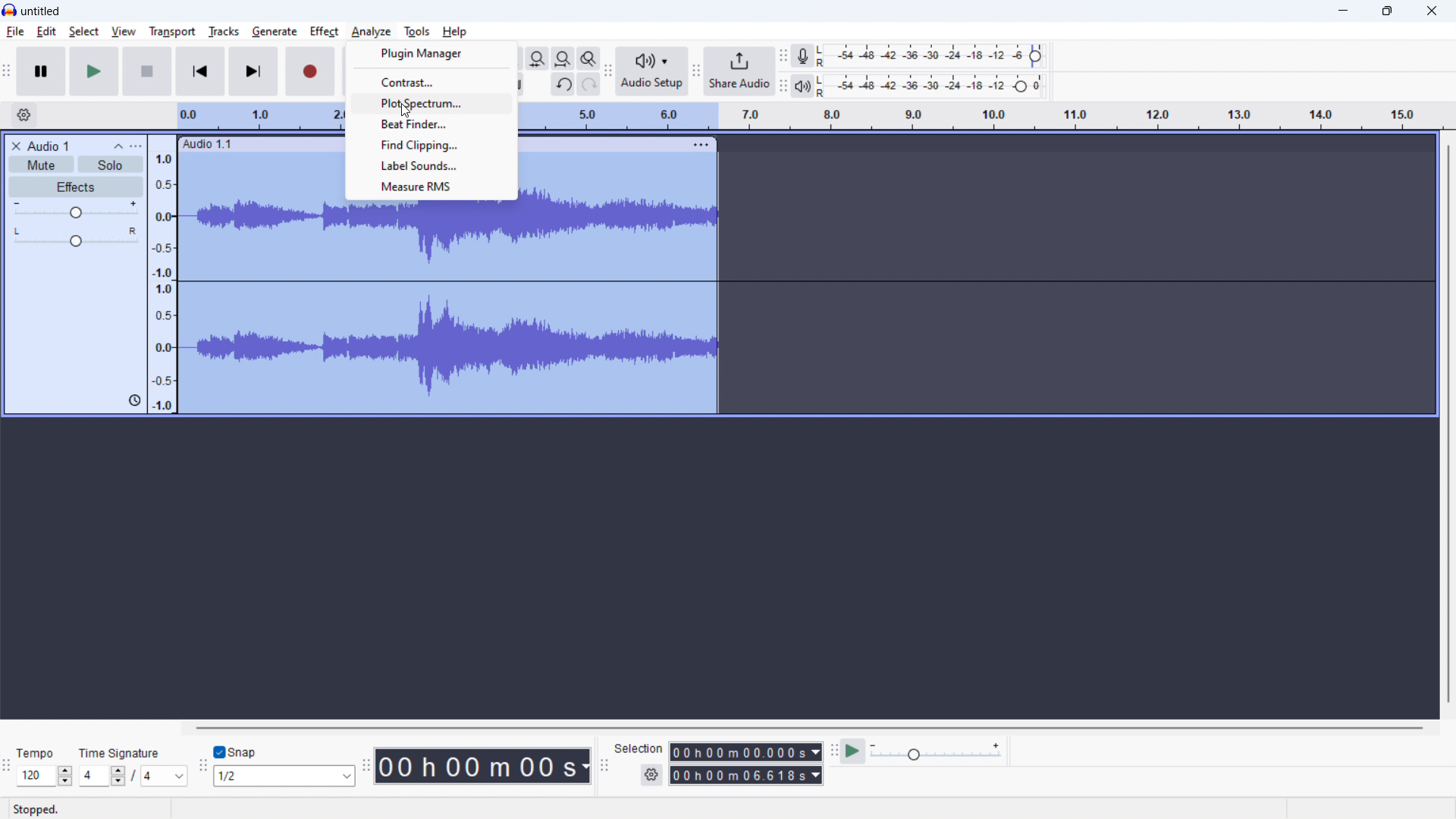 The height and width of the screenshot is (819, 1456). Describe the element at coordinates (133, 776) in the screenshot. I see `set time signature` at that location.